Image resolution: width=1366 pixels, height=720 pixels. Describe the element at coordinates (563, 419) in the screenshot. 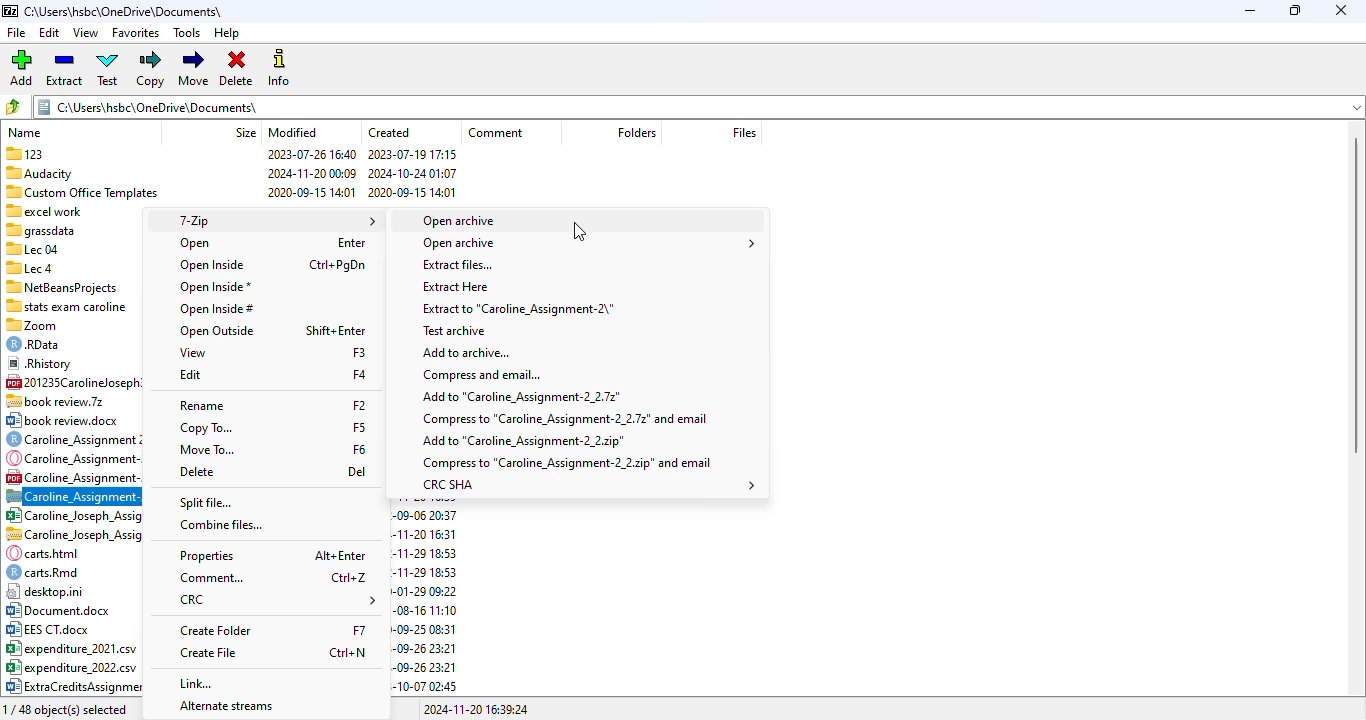

I see `compress to .7z file and email` at that location.